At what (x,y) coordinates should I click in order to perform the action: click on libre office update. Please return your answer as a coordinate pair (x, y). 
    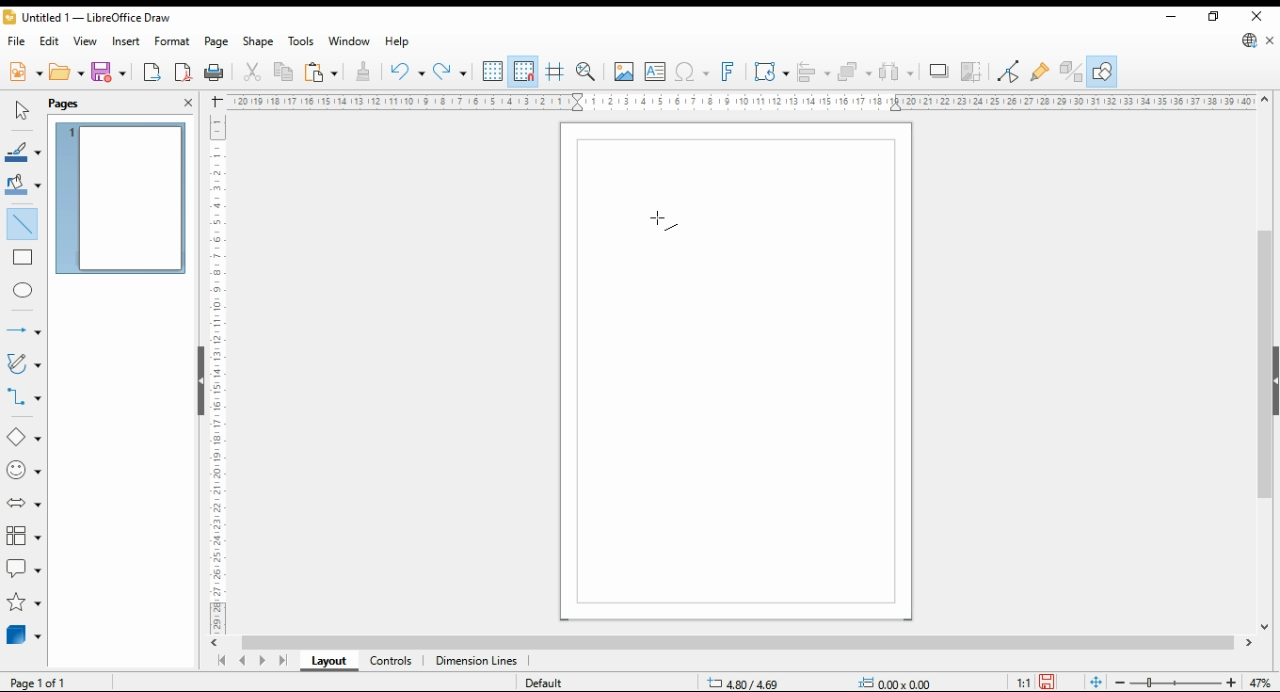
    Looking at the image, I should click on (1250, 42).